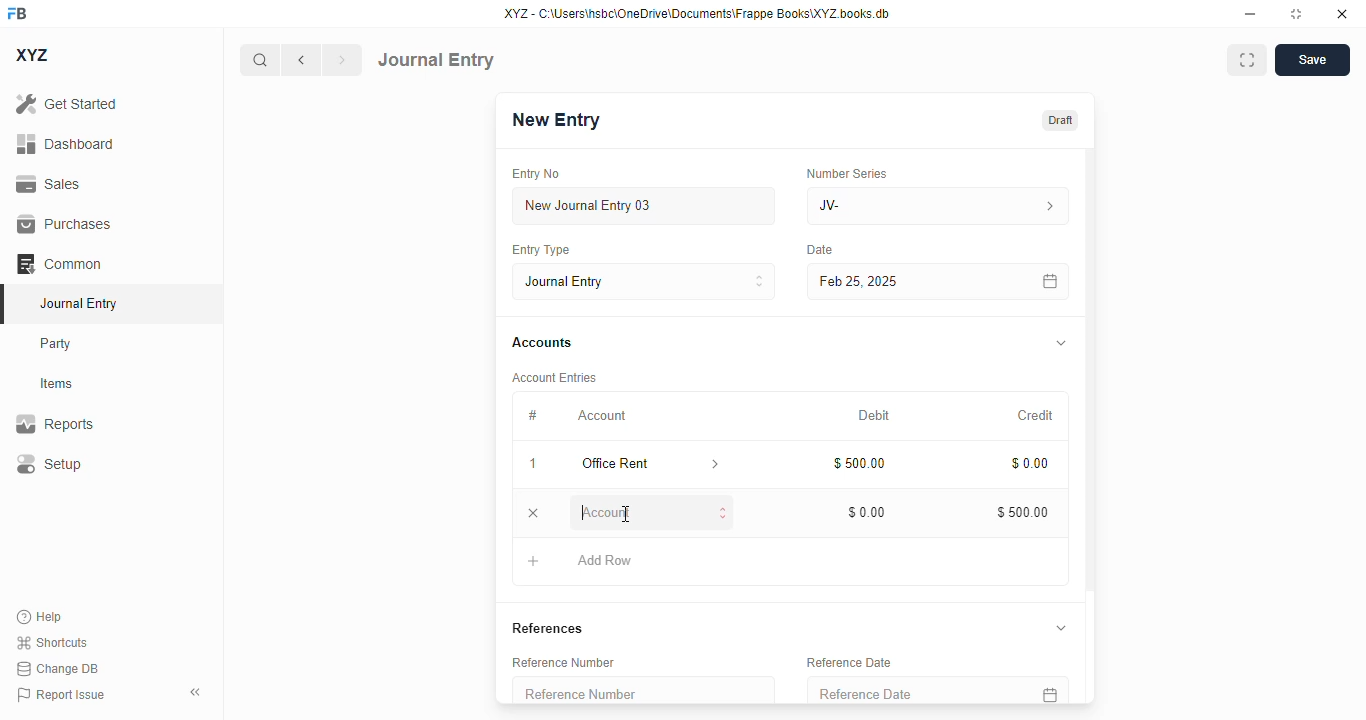 This screenshot has width=1366, height=720. What do you see at coordinates (607, 561) in the screenshot?
I see `add row` at bounding box center [607, 561].